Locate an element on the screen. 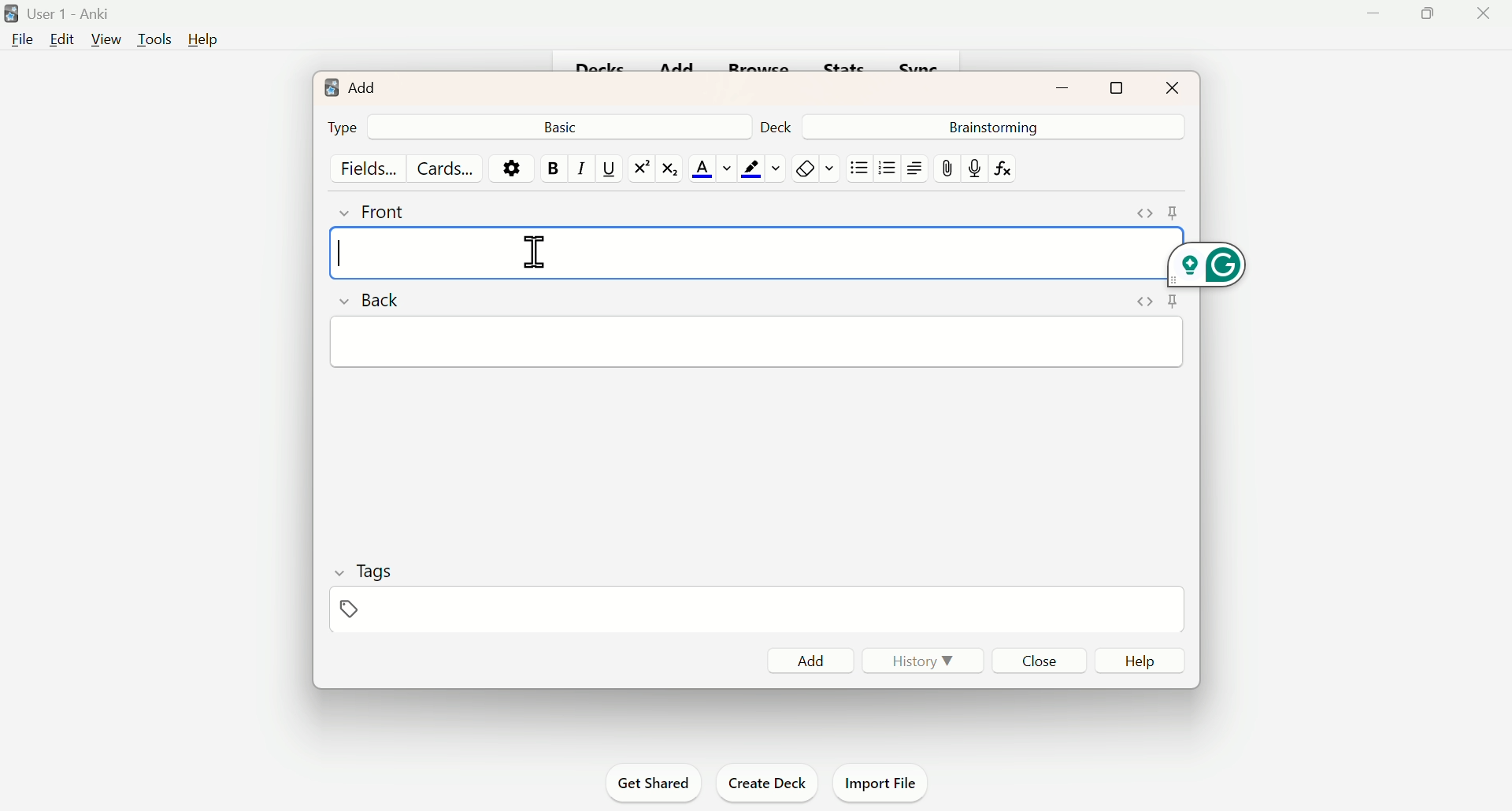 Image resolution: width=1512 pixels, height=811 pixels.  is located at coordinates (1177, 87).